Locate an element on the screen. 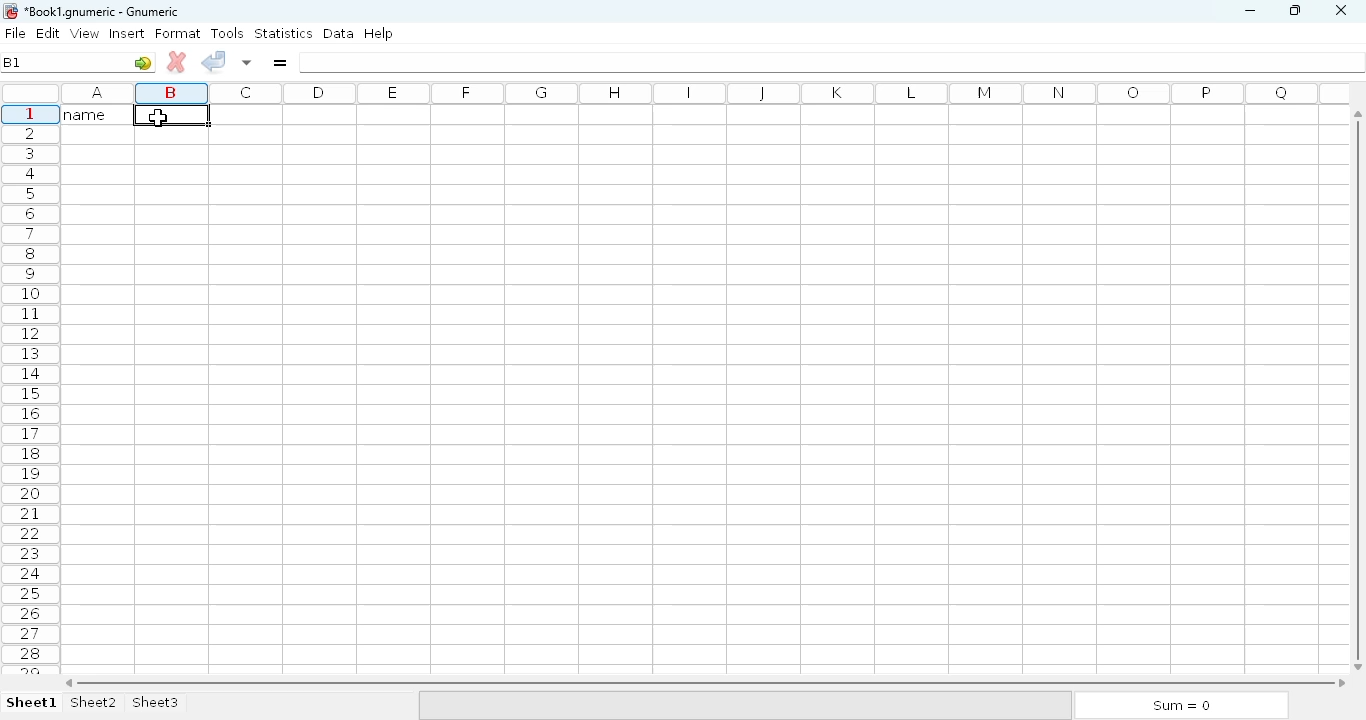  B1 is located at coordinates (11, 62).